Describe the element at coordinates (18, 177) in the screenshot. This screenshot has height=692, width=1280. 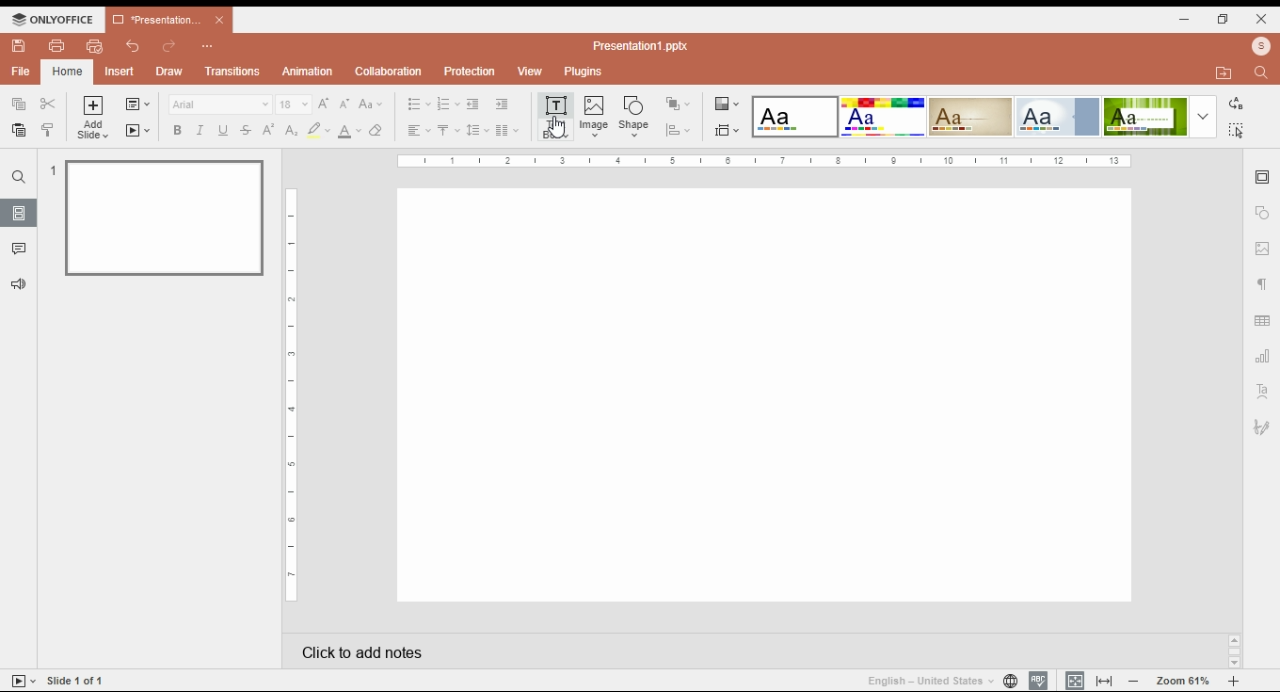
I see `find` at that location.